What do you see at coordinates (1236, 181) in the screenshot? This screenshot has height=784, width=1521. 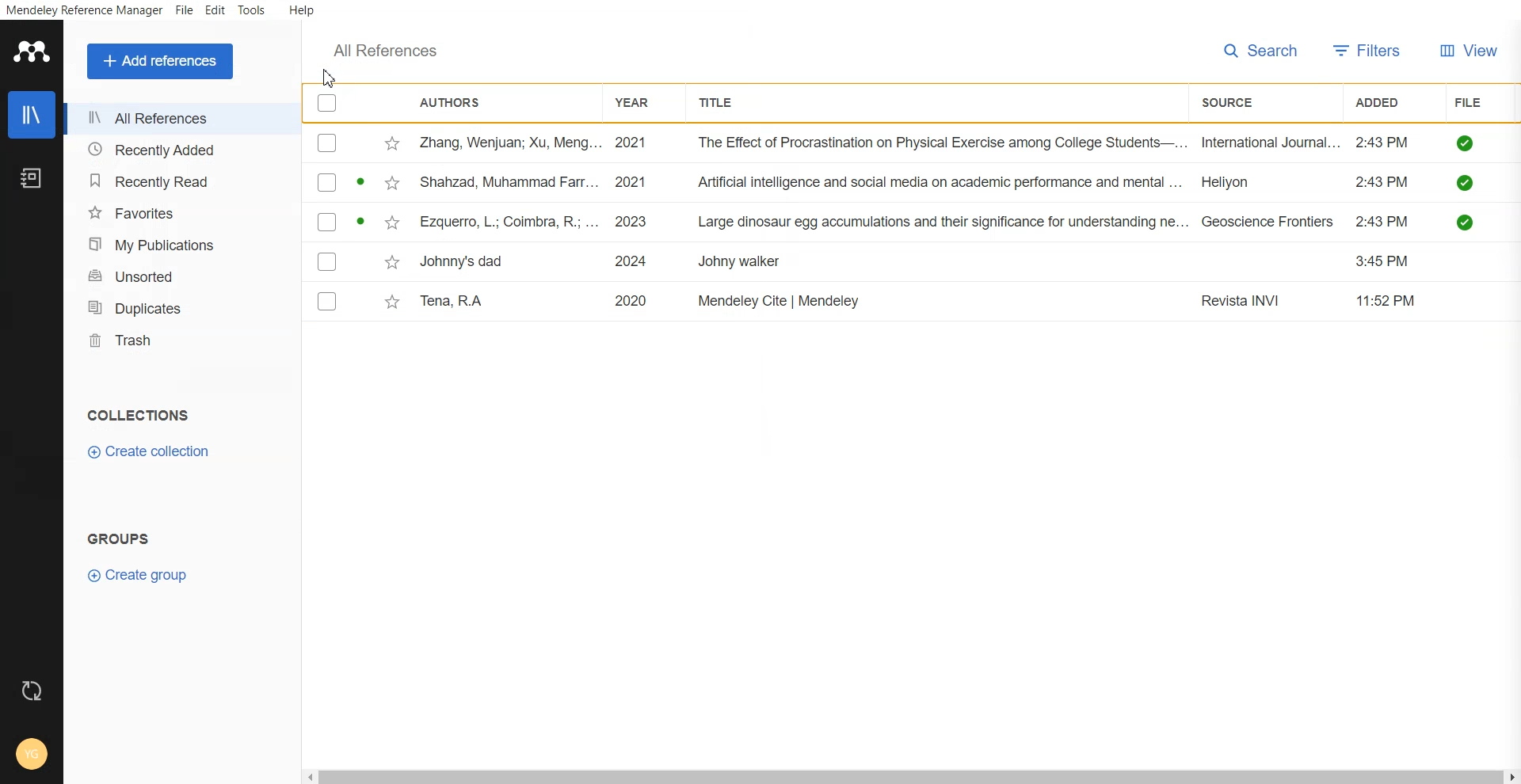 I see `Heliyon` at bounding box center [1236, 181].